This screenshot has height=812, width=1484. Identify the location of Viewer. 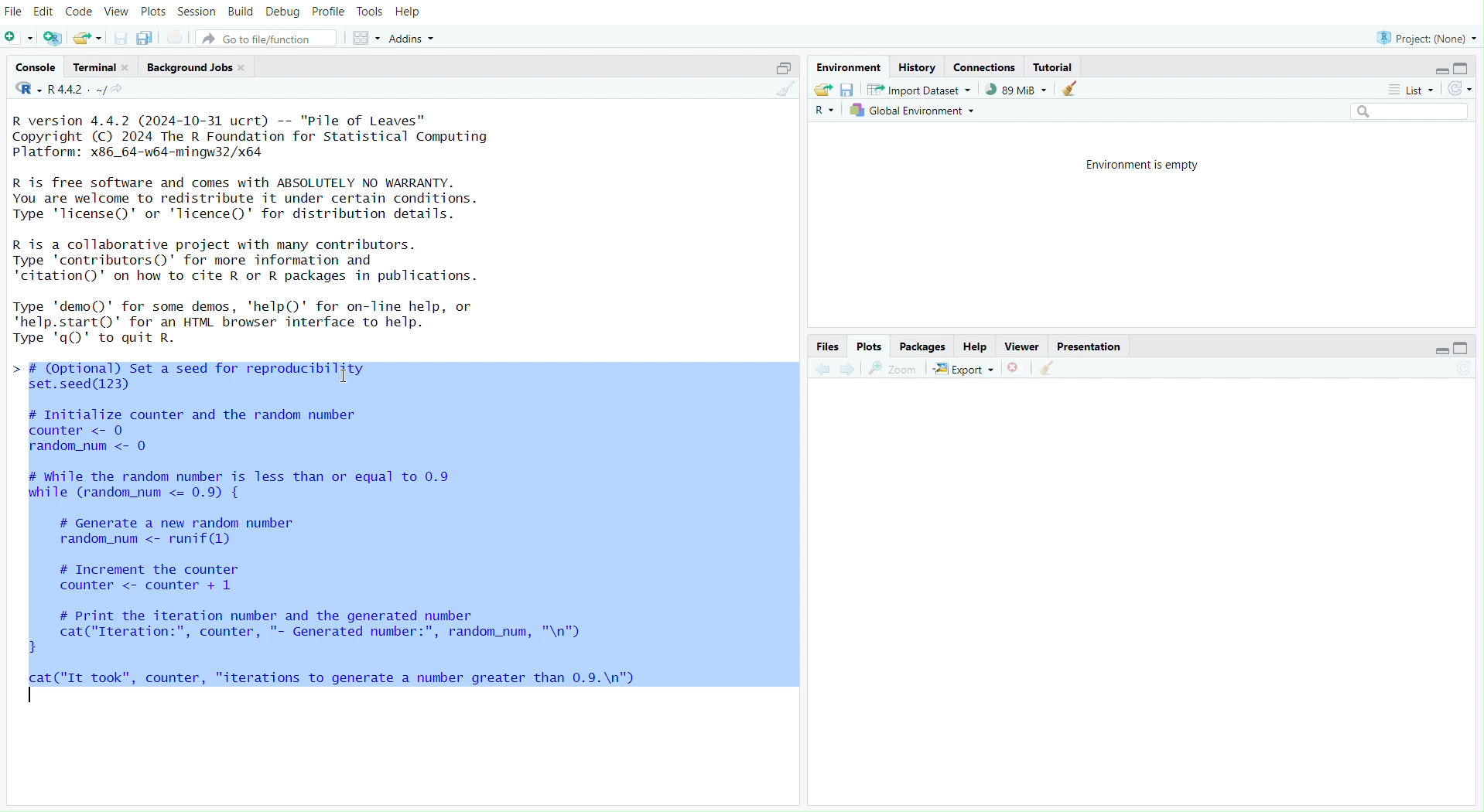
(1022, 345).